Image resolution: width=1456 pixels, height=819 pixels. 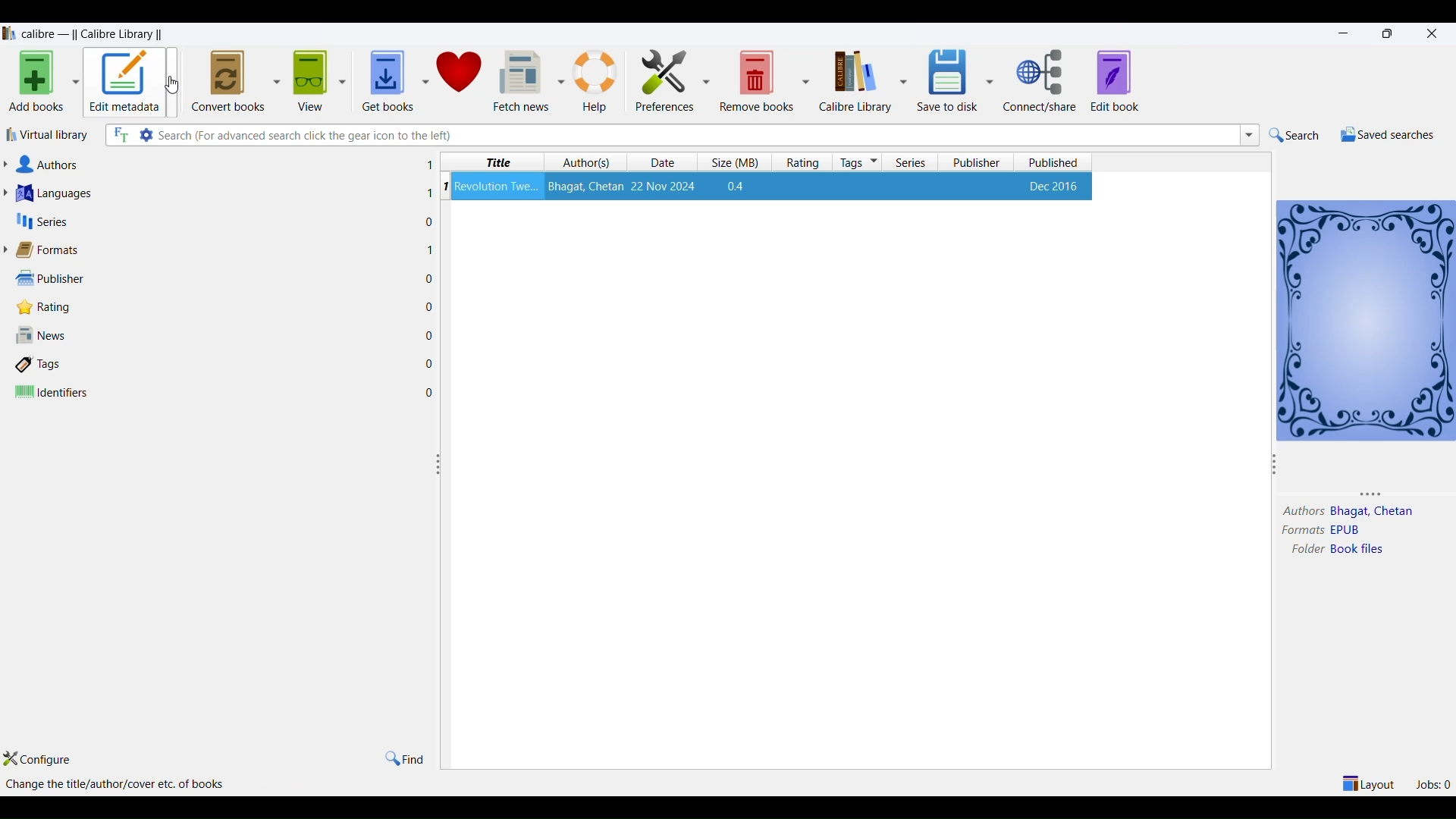 What do you see at coordinates (695, 135) in the screenshot?
I see `search box` at bounding box center [695, 135].